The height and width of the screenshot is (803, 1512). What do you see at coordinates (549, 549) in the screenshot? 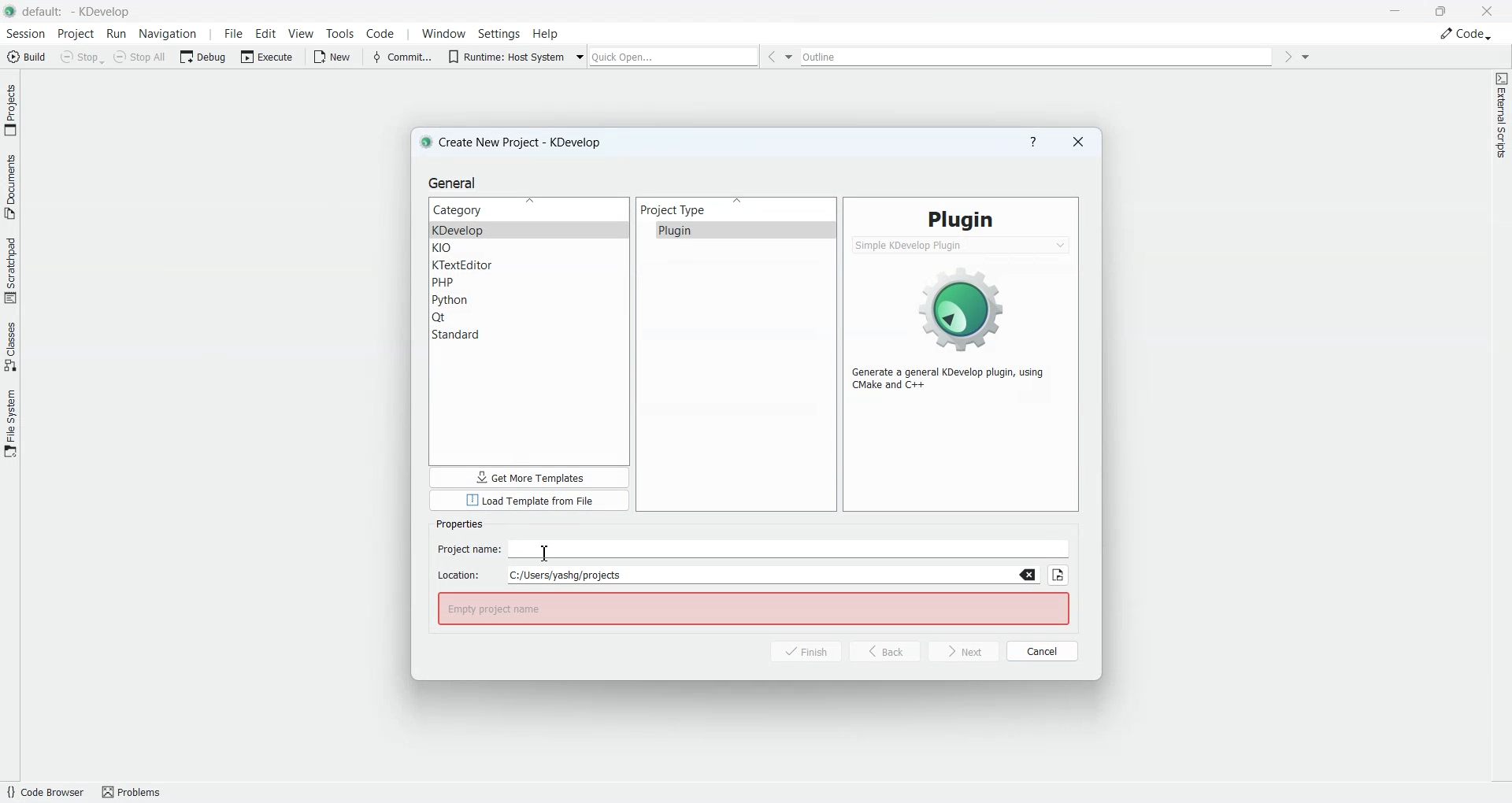
I see `Text Cursor` at bounding box center [549, 549].